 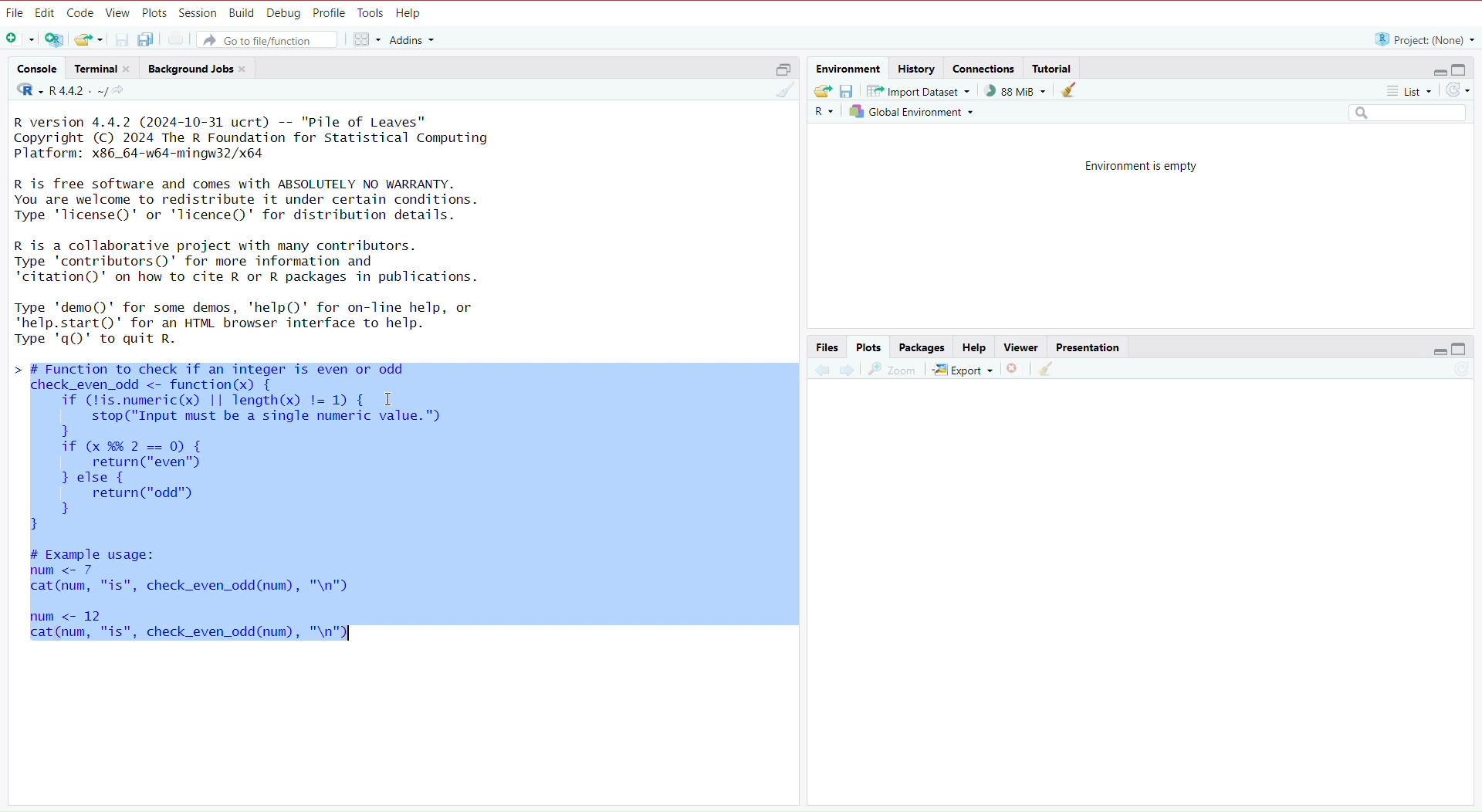 I want to click on session, so click(x=198, y=14).